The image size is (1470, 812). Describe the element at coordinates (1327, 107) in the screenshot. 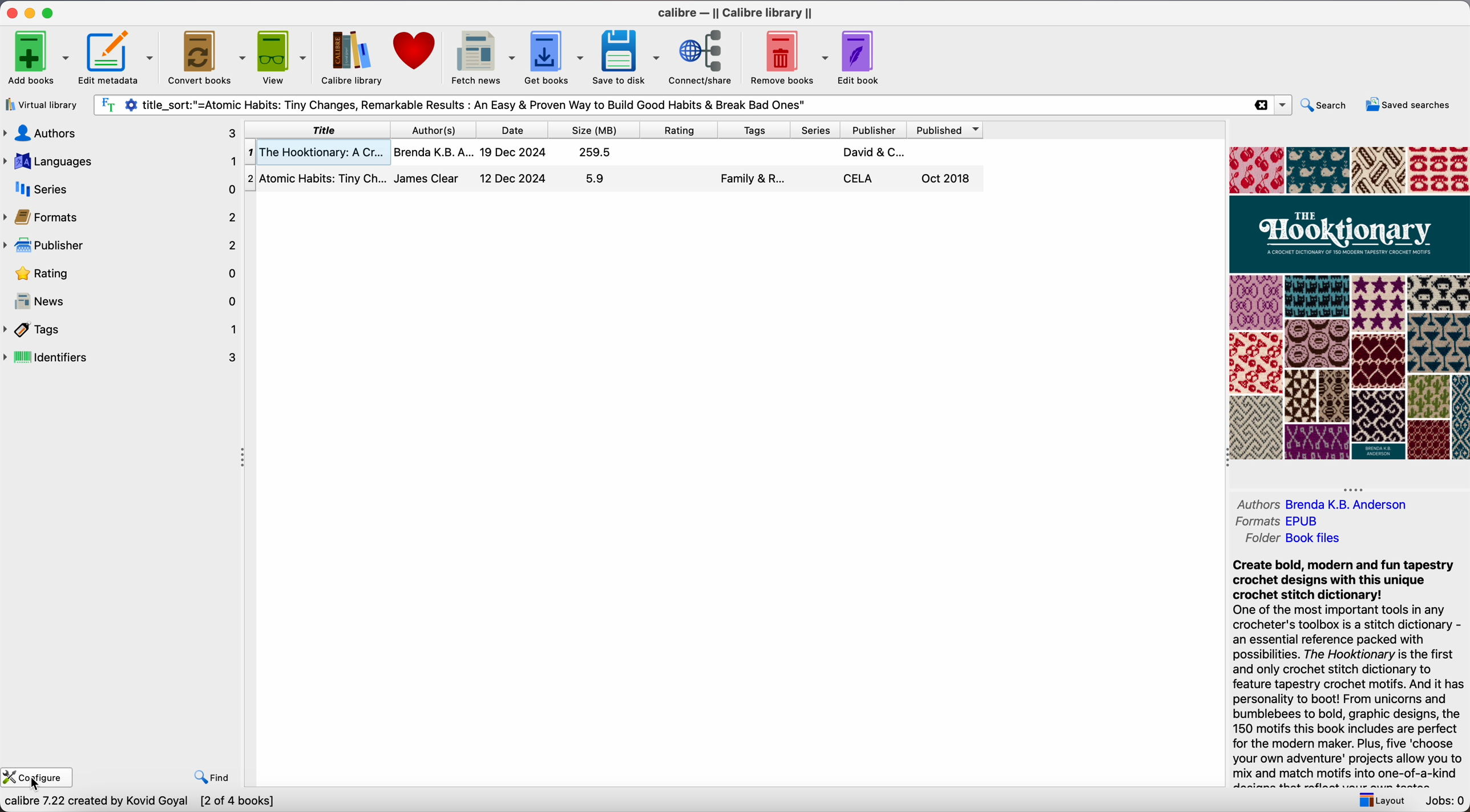

I see `search` at that location.